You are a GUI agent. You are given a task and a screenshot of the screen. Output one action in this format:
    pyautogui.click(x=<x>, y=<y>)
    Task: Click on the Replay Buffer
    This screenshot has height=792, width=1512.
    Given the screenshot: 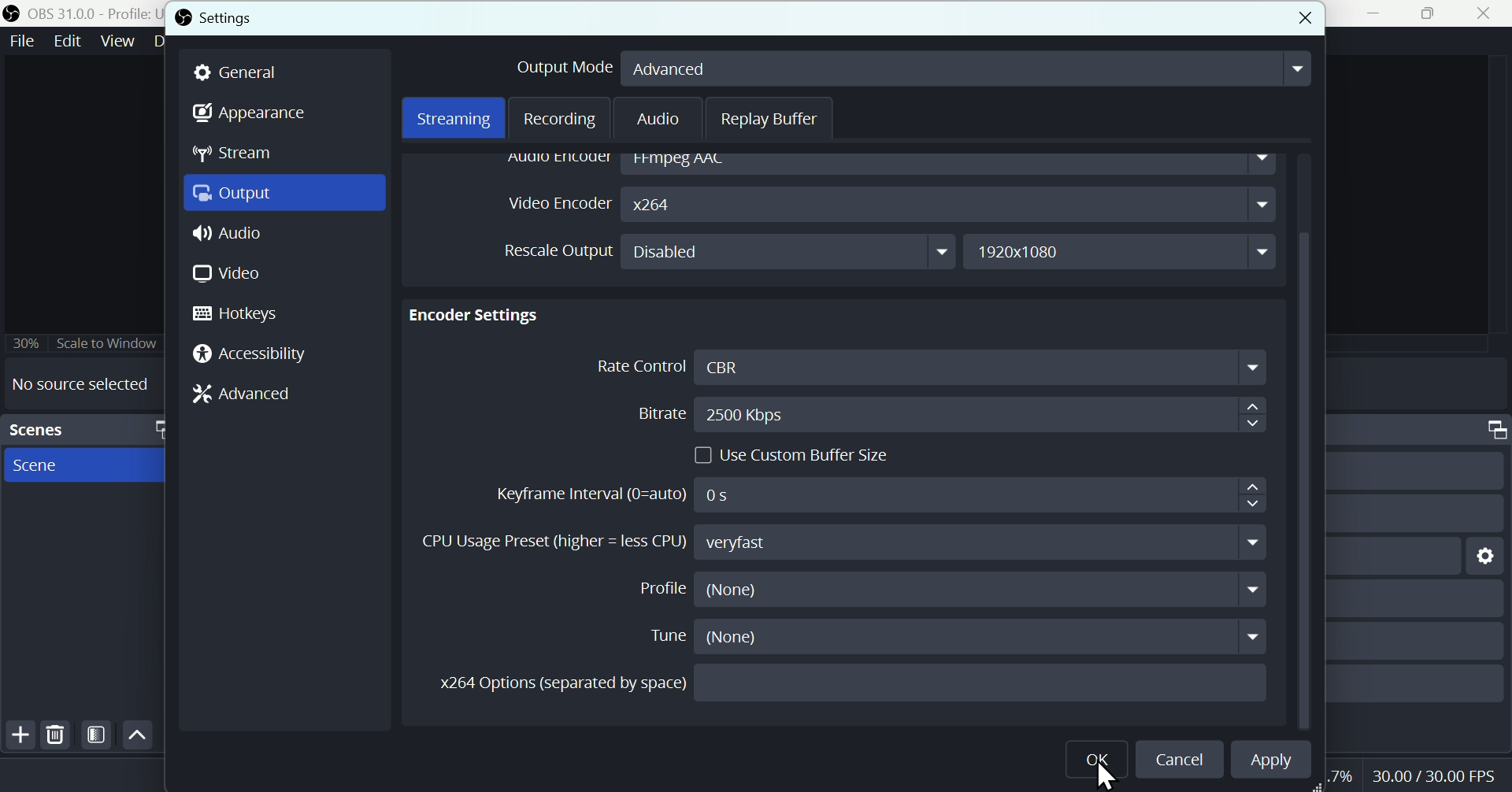 What is the action you would take?
    pyautogui.click(x=772, y=118)
    